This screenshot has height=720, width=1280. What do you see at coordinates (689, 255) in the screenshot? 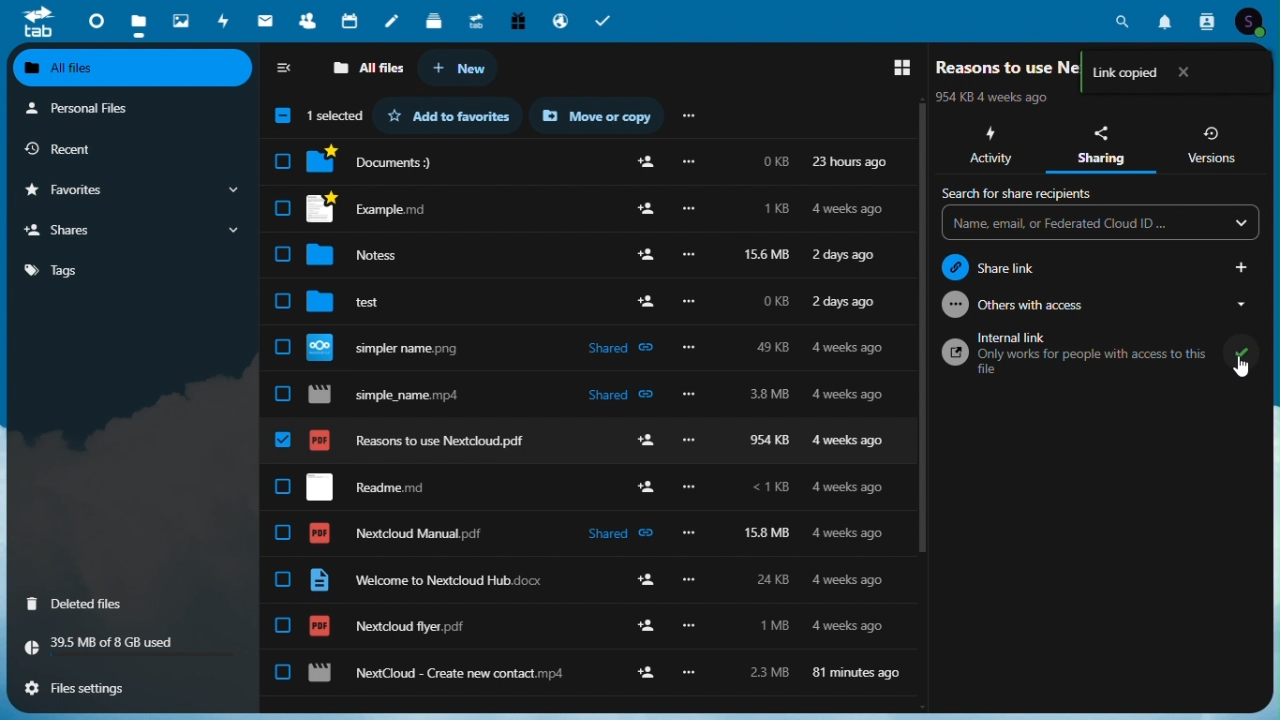
I see `` at bounding box center [689, 255].